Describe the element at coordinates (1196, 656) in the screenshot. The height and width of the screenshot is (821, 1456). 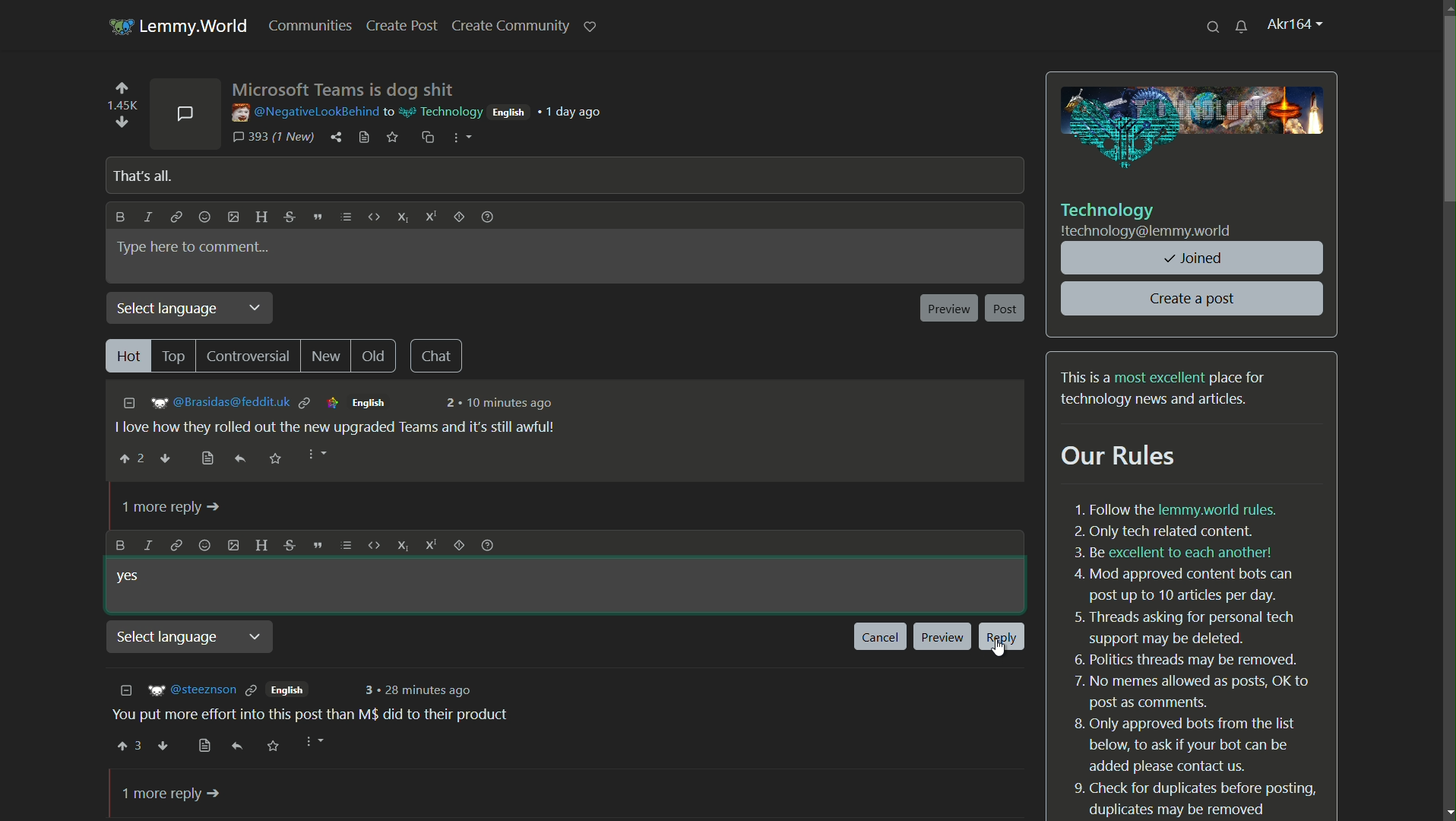
I see `text` at that location.